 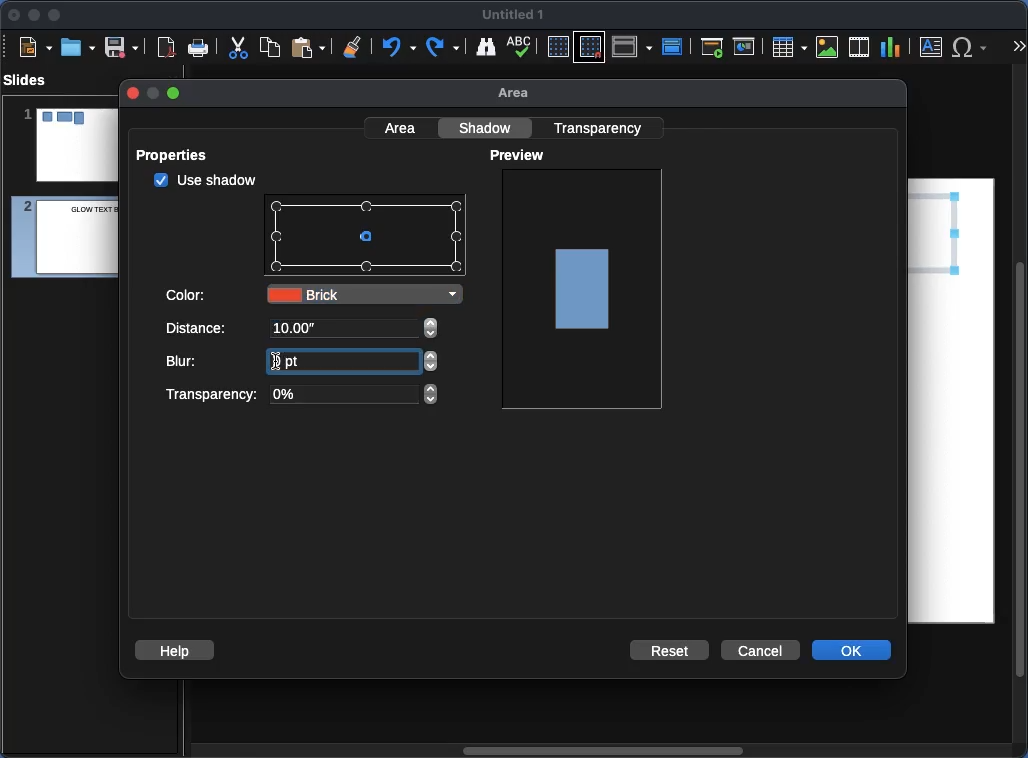 What do you see at coordinates (671, 649) in the screenshot?
I see `Reset` at bounding box center [671, 649].